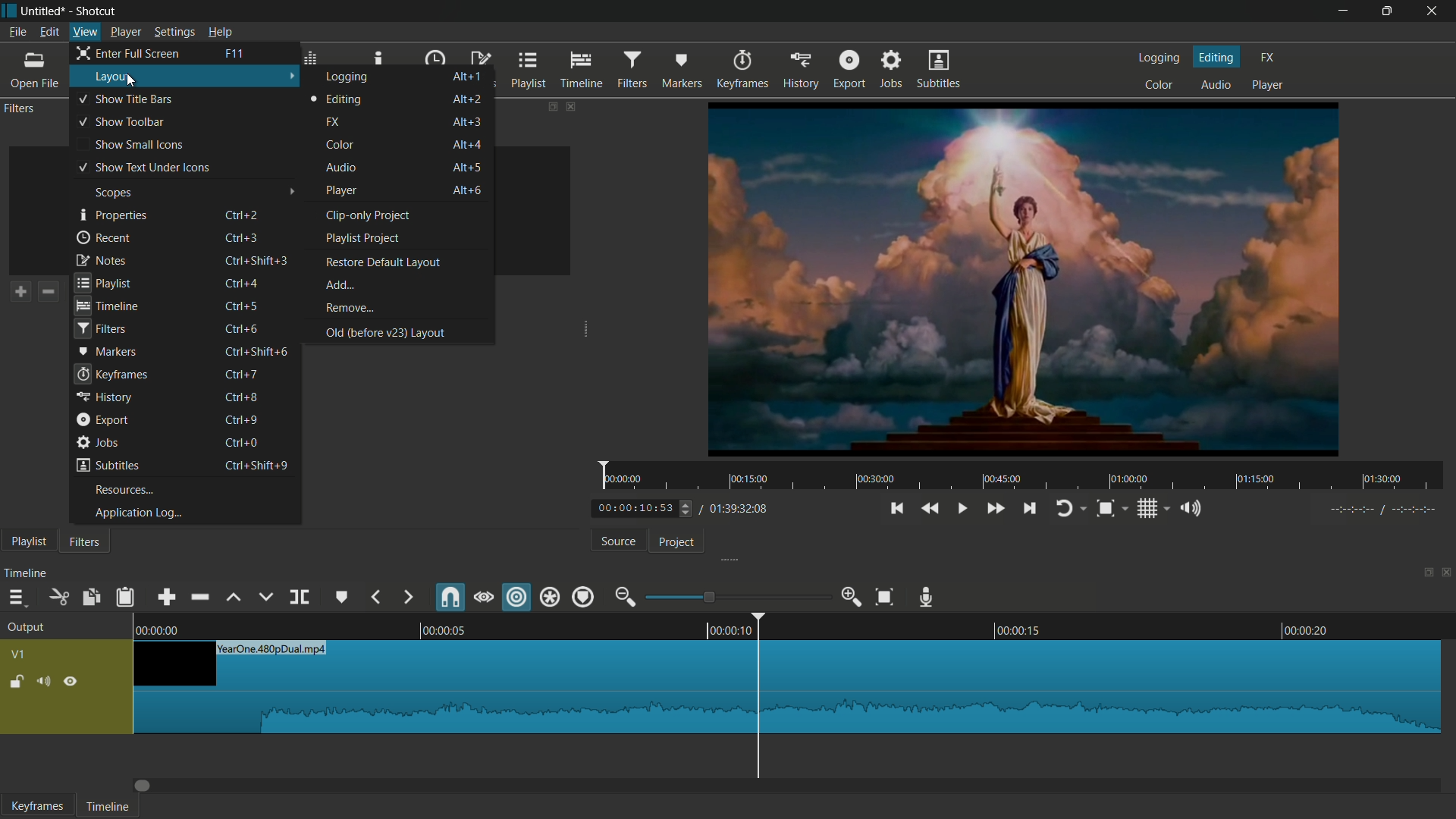  What do you see at coordinates (240, 421) in the screenshot?
I see `keyboard shortcut` at bounding box center [240, 421].